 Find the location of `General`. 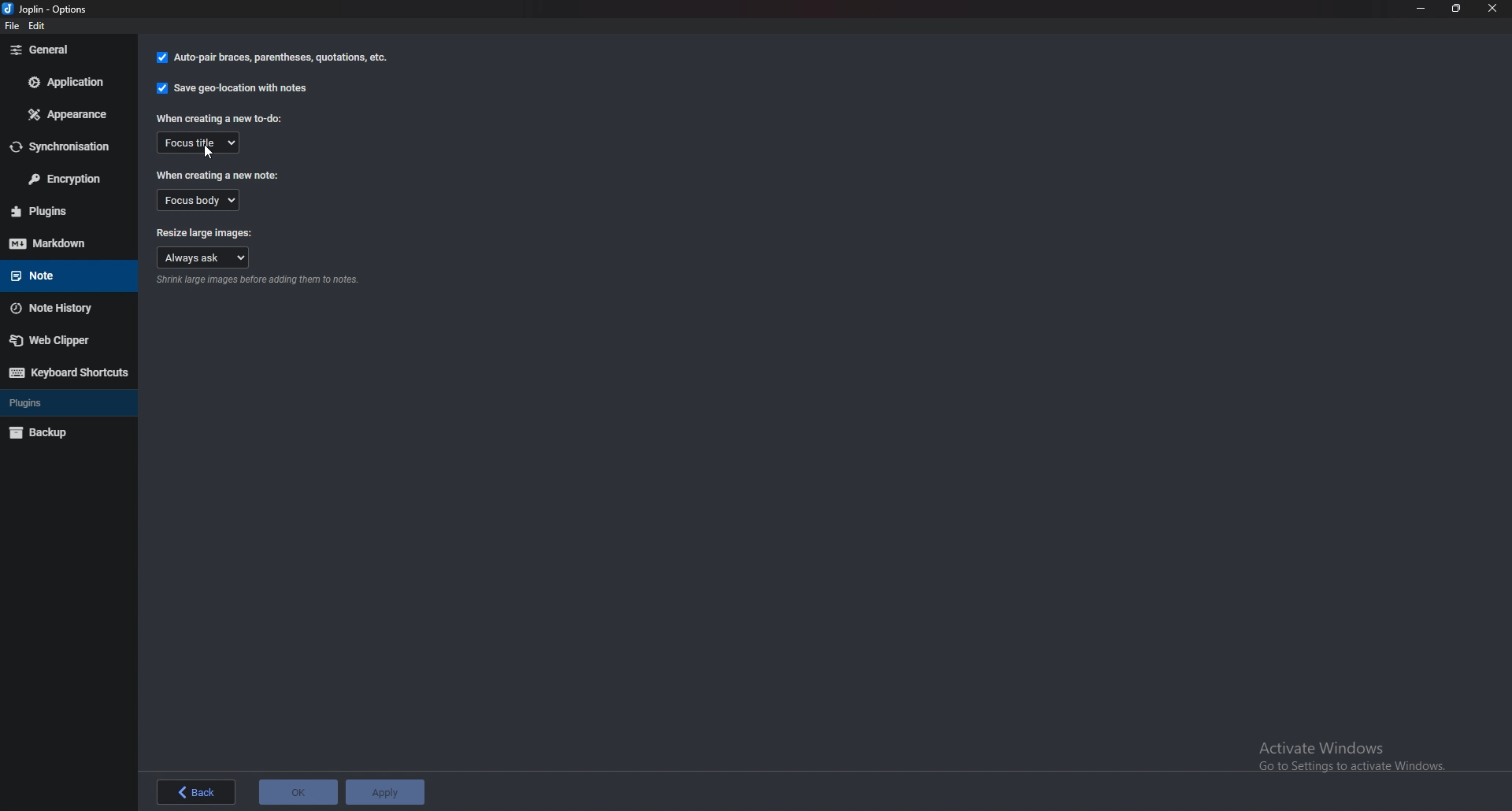

General is located at coordinates (64, 50).